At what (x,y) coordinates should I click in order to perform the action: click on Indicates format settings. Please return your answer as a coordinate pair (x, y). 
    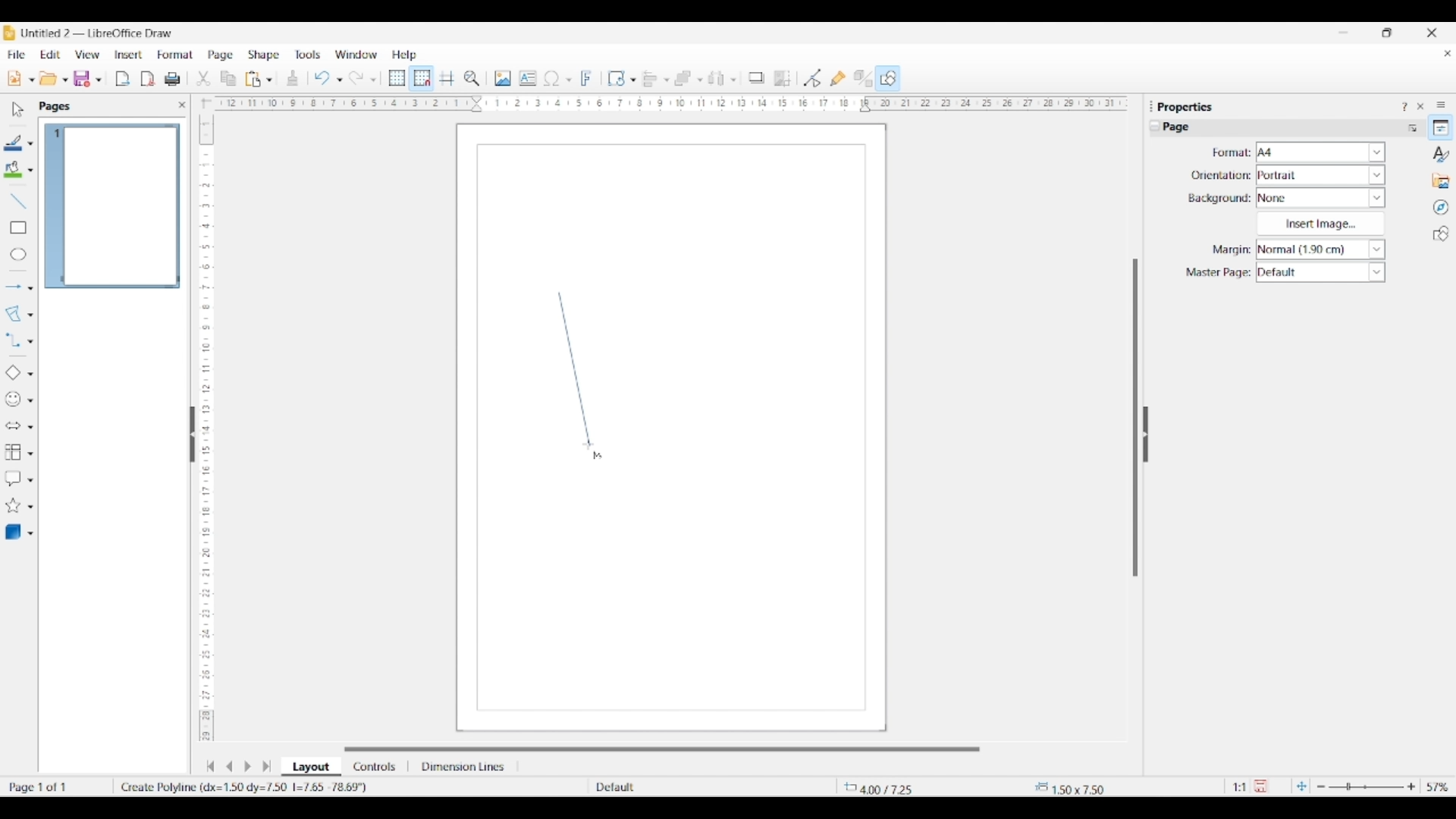
    Looking at the image, I should click on (1230, 153).